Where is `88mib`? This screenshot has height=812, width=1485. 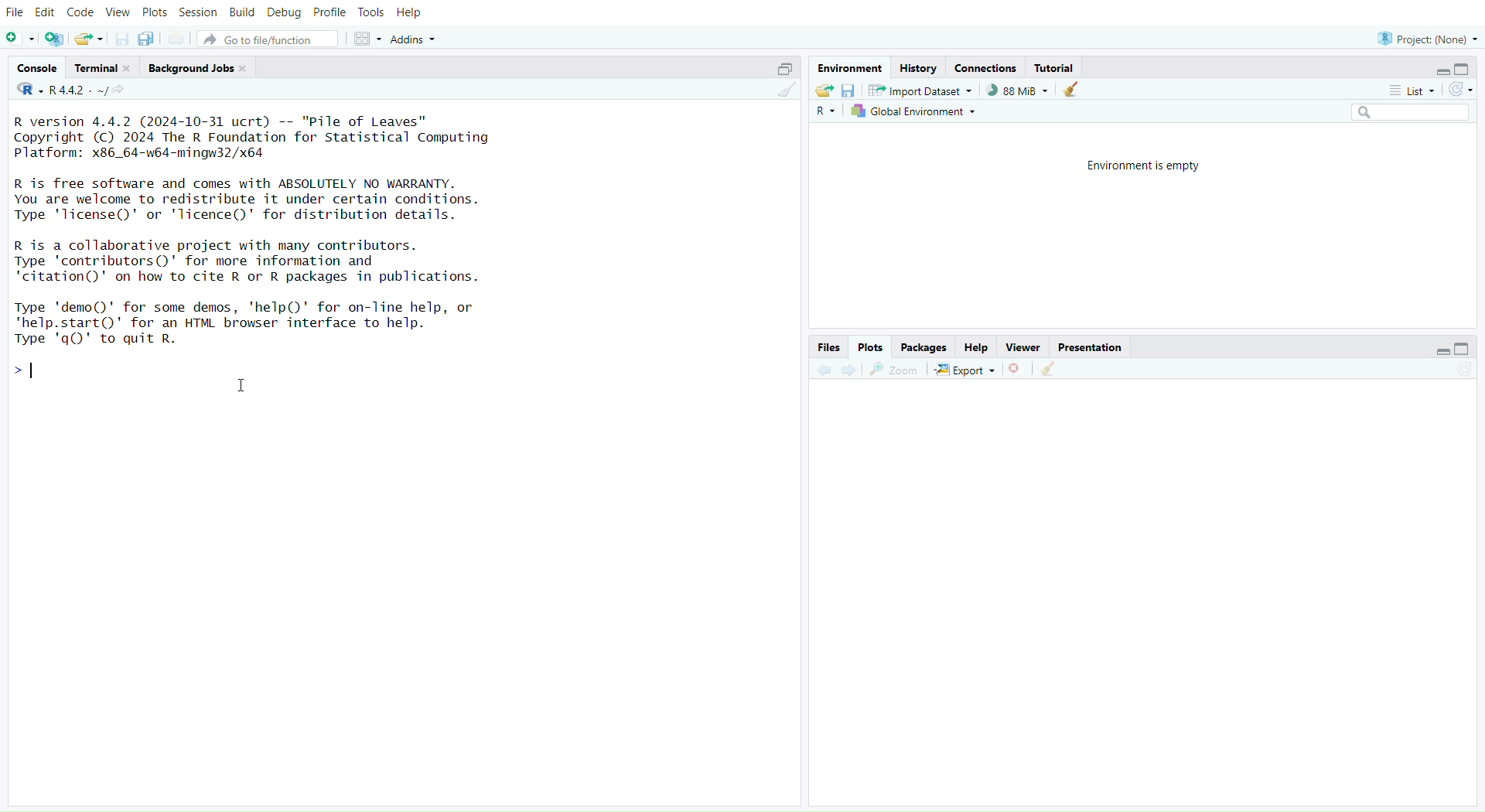
88mib is located at coordinates (1018, 91).